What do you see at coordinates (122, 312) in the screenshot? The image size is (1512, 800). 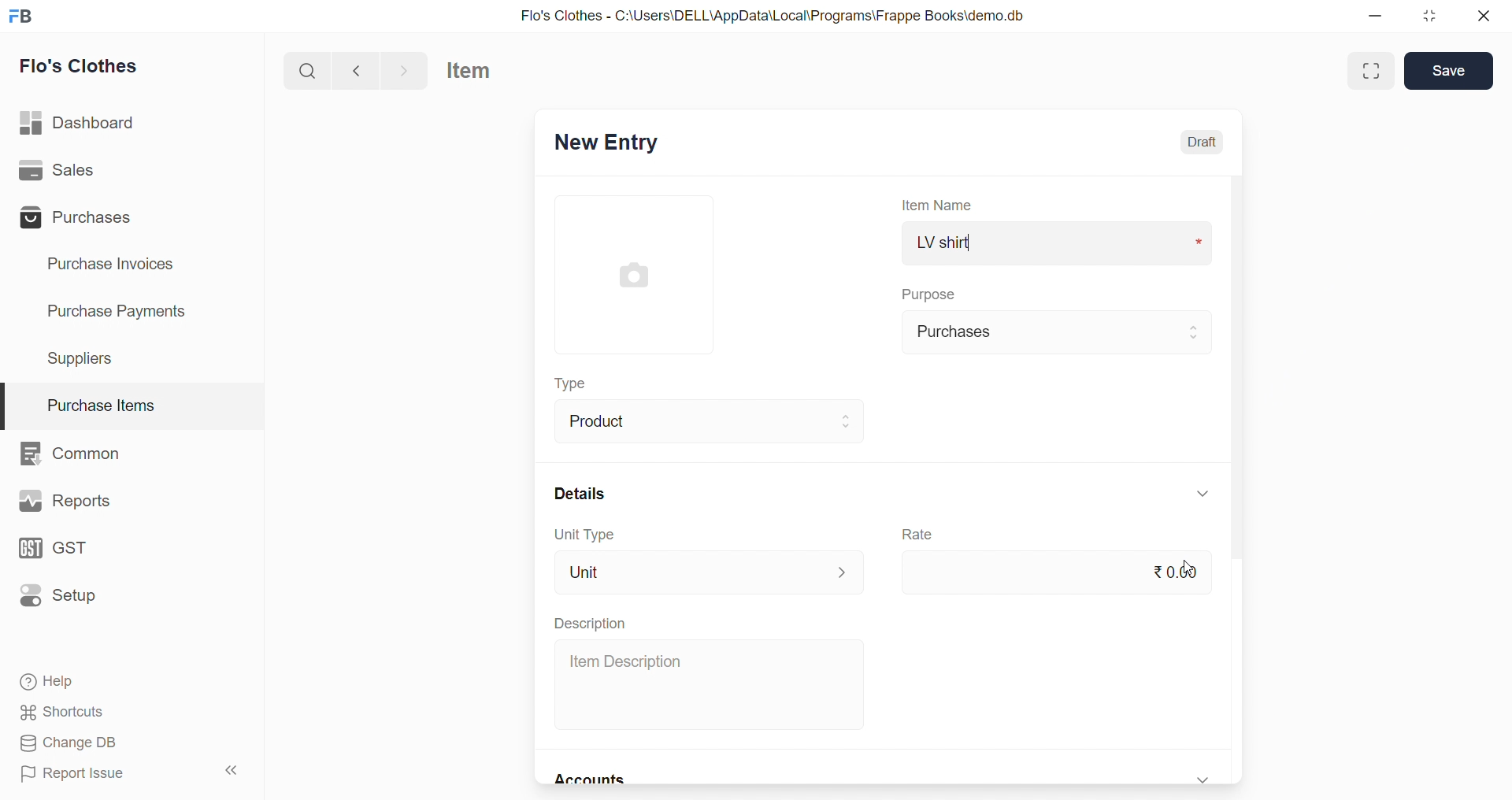 I see `Purchase Payments` at bounding box center [122, 312].